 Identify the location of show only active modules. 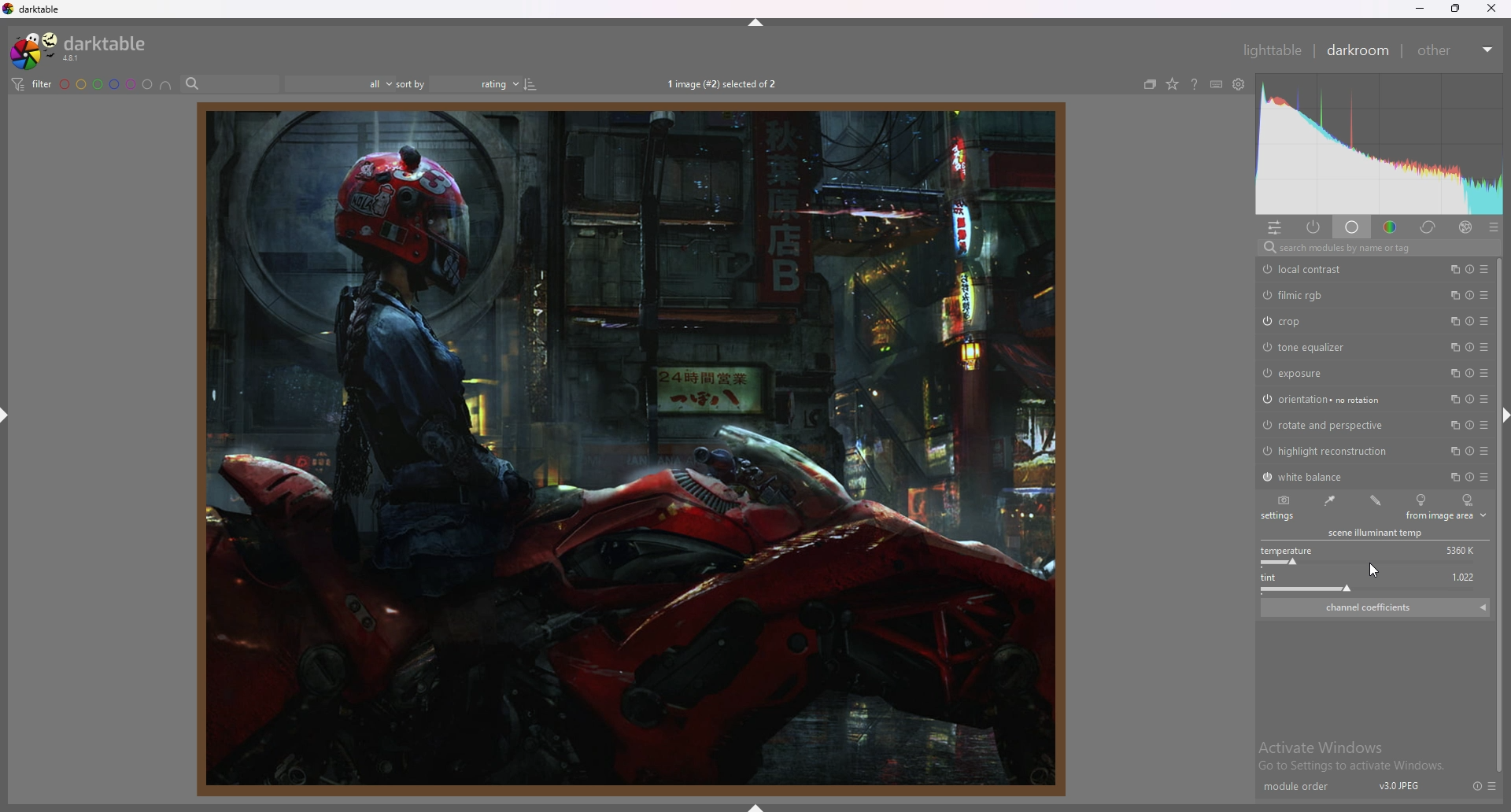
(1313, 228).